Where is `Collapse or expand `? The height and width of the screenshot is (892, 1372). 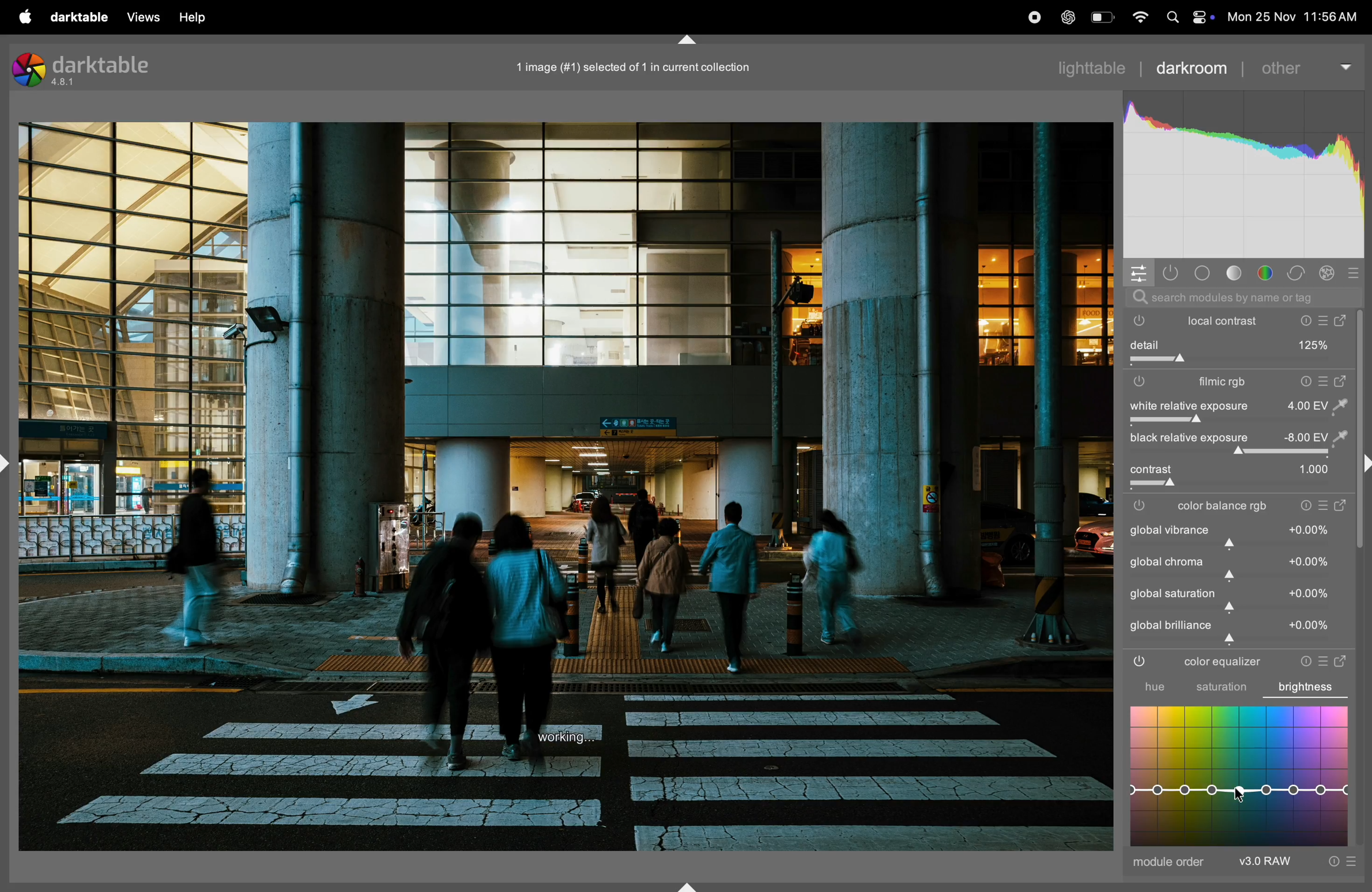 Collapse or expand  is located at coordinates (688, 882).